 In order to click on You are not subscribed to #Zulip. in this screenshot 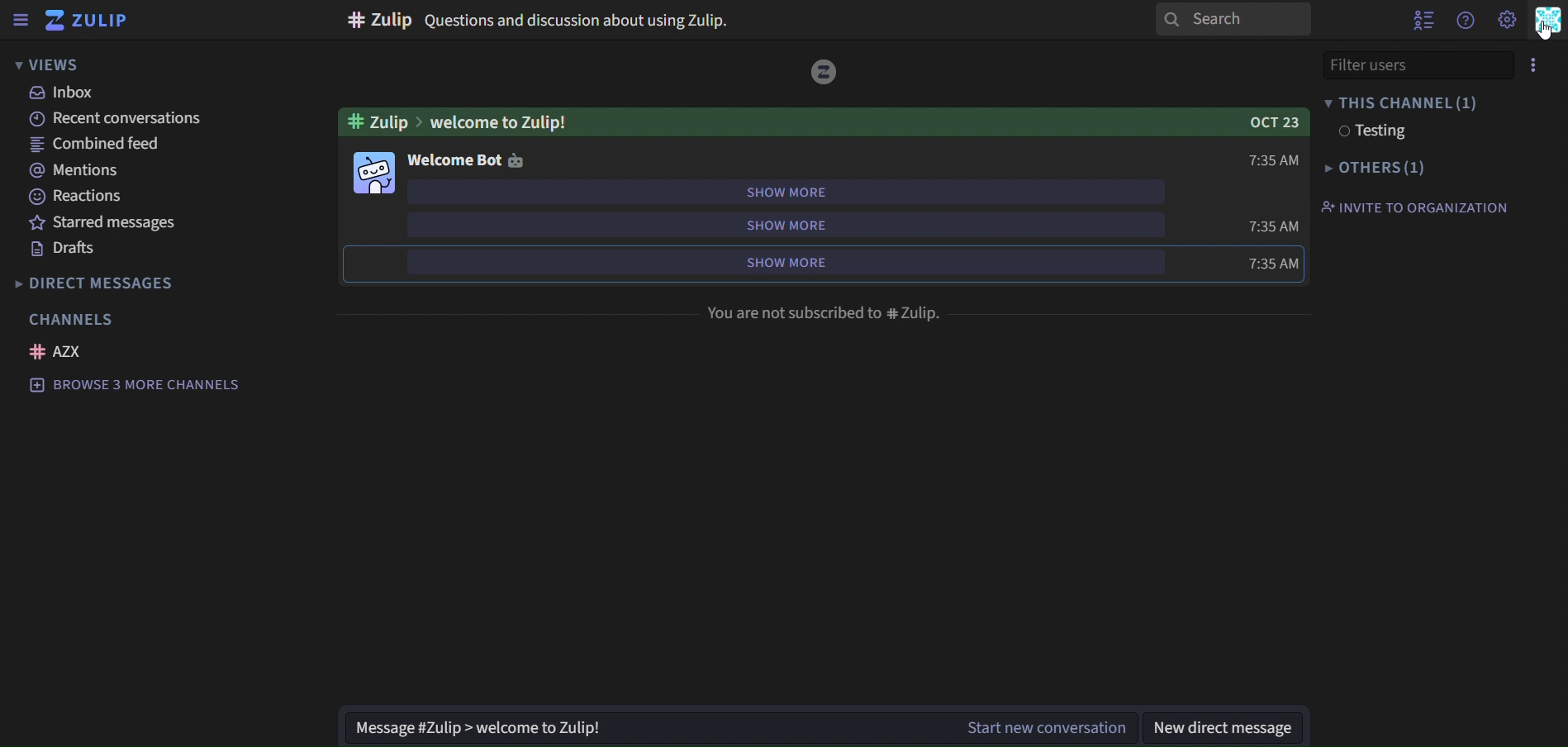, I will do `click(828, 311)`.